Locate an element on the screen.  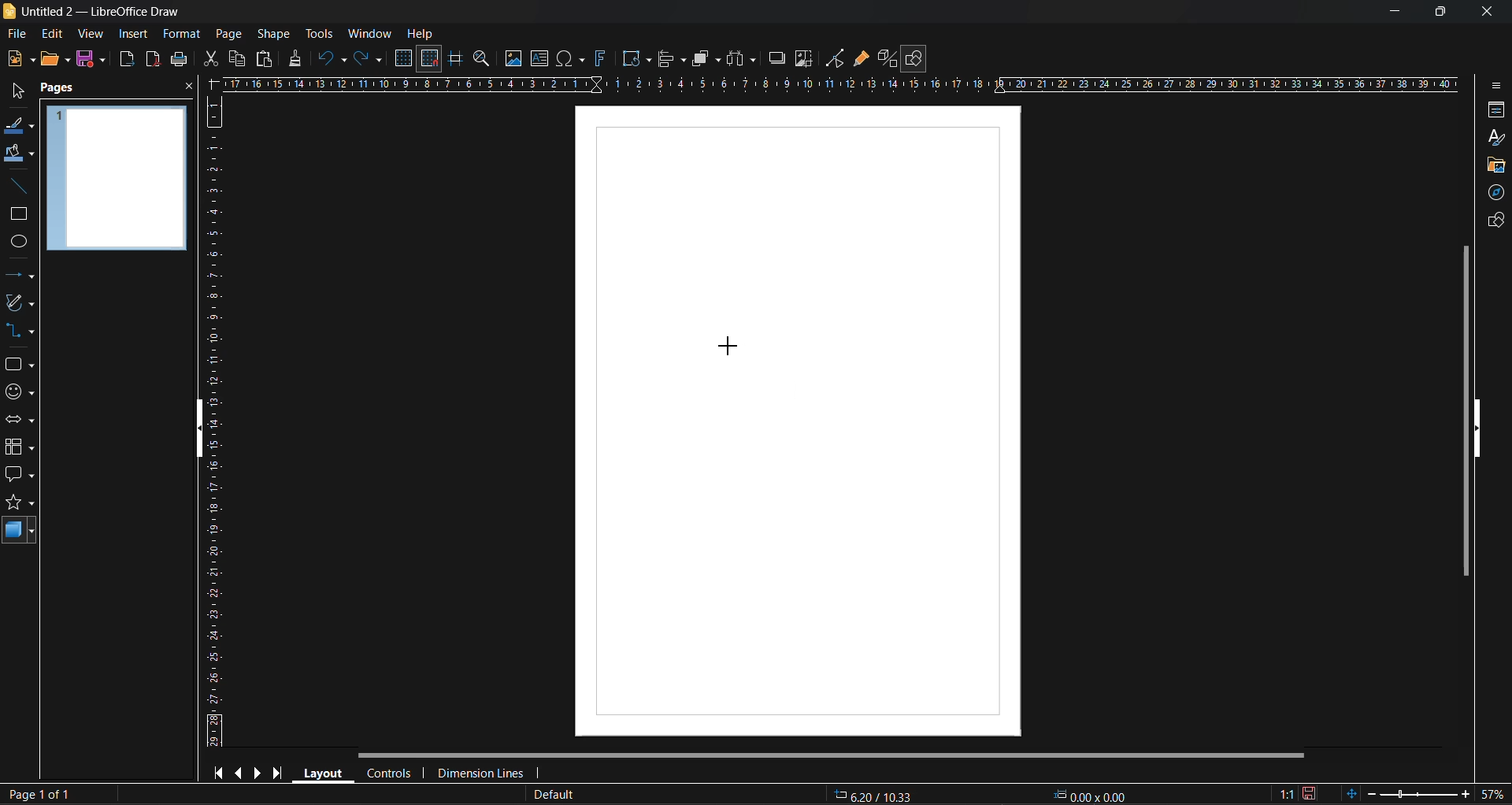
hide is located at coordinates (206, 429).